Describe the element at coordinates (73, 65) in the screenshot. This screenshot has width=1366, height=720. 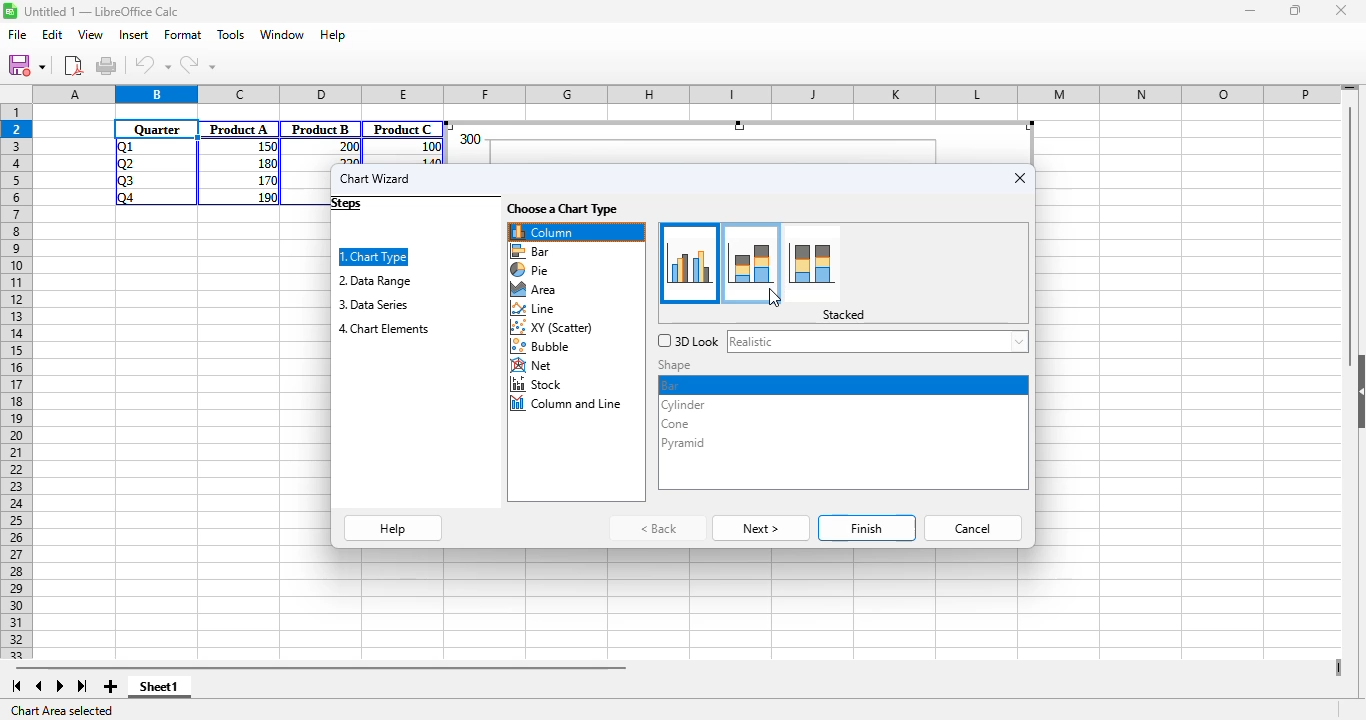
I see `export directly as PDF` at that location.